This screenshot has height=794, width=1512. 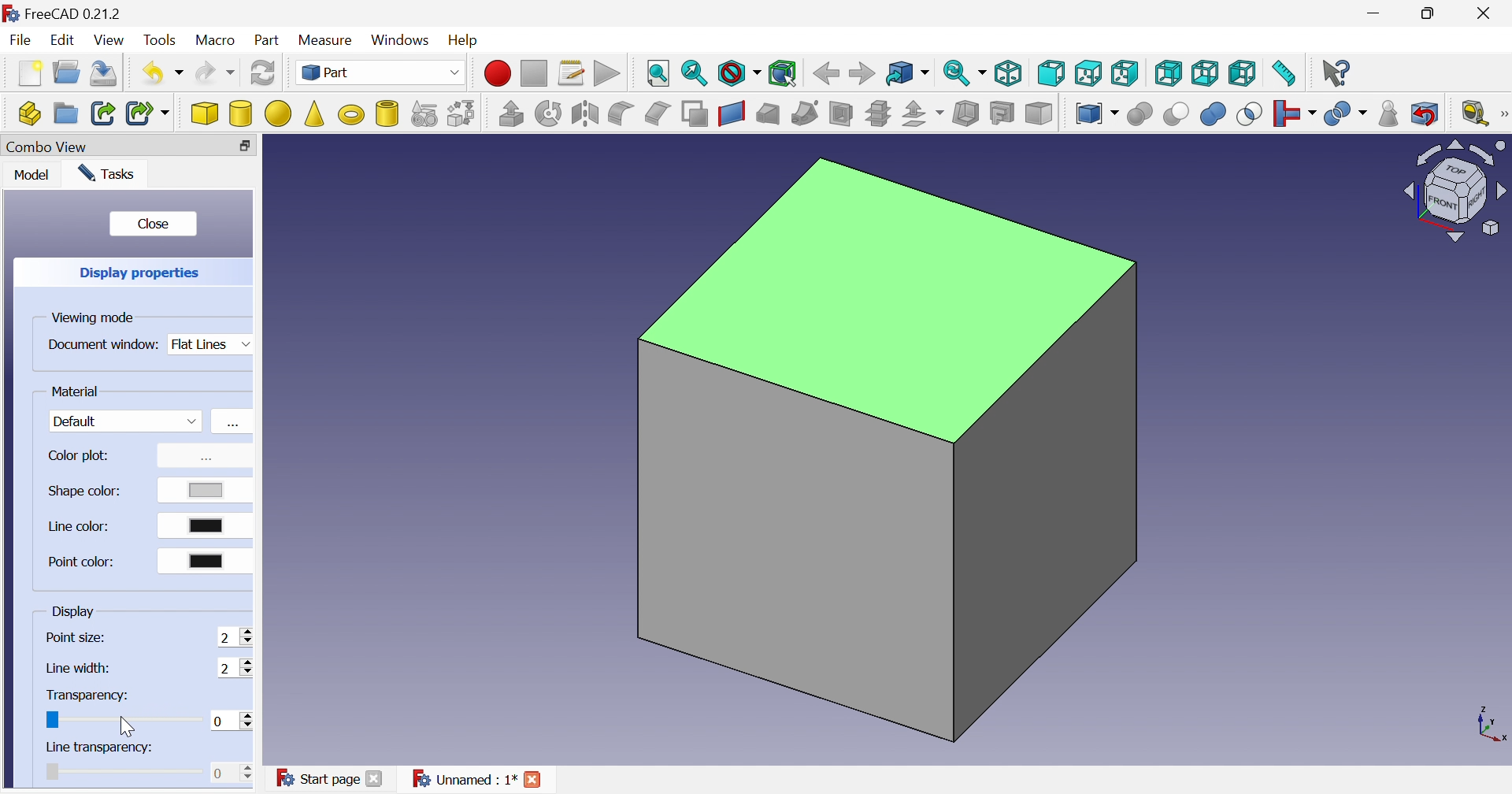 I want to click on Restore down, so click(x=218, y=147).